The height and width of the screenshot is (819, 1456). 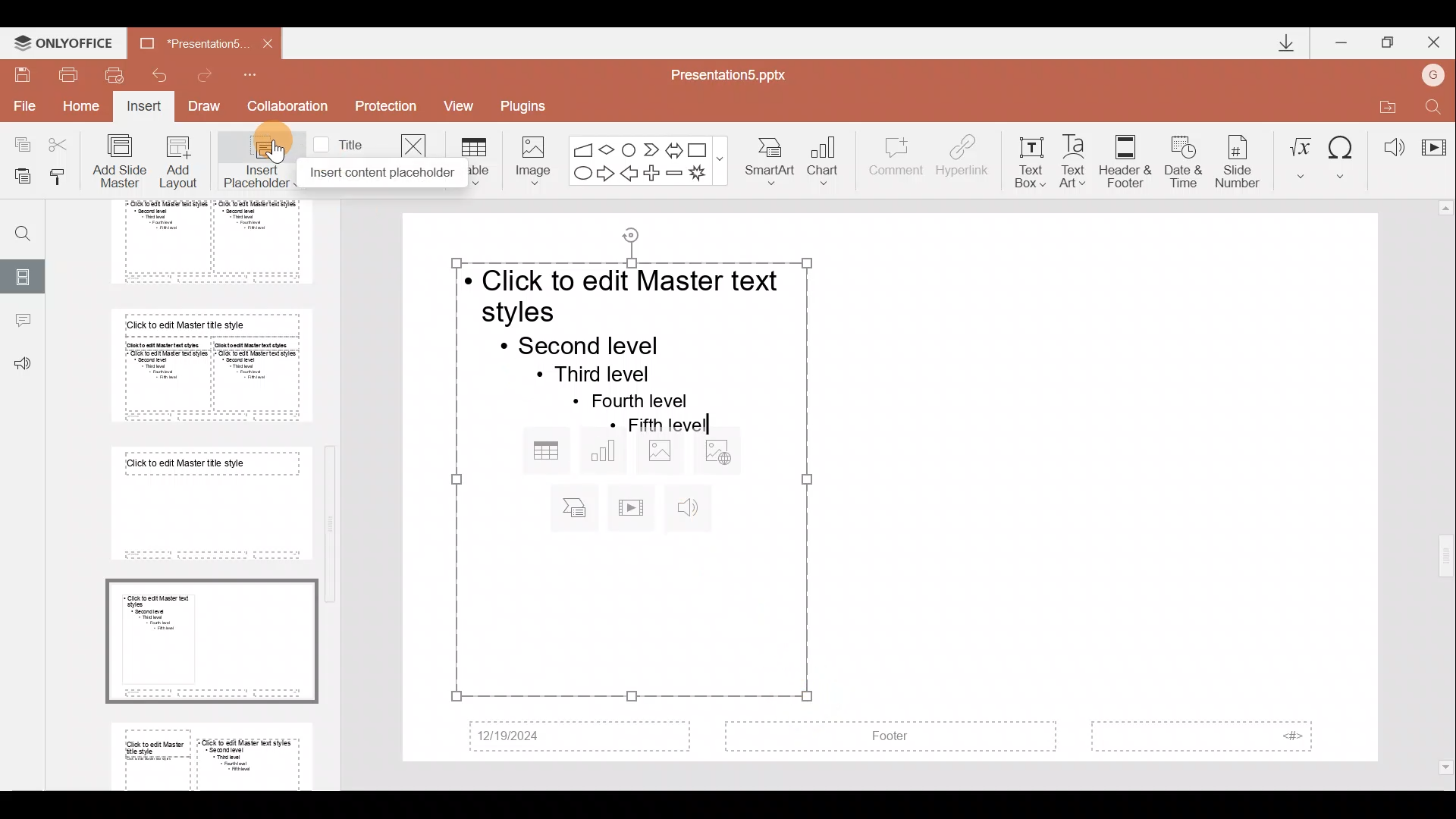 What do you see at coordinates (1435, 104) in the screenshot?
I see `Find` at bounding box center [1435, 104].